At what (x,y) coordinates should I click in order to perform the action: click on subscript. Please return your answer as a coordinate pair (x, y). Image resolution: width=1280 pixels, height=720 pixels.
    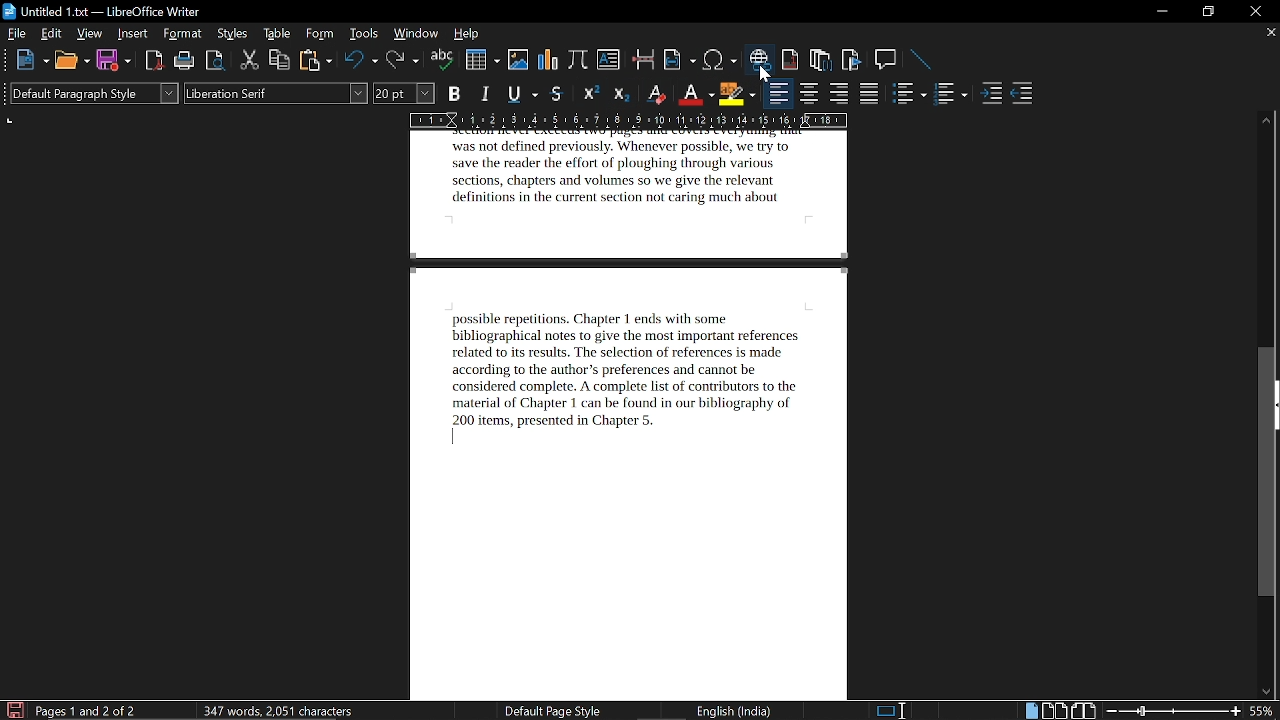
    Looking at the image, I should click on (624, 94).